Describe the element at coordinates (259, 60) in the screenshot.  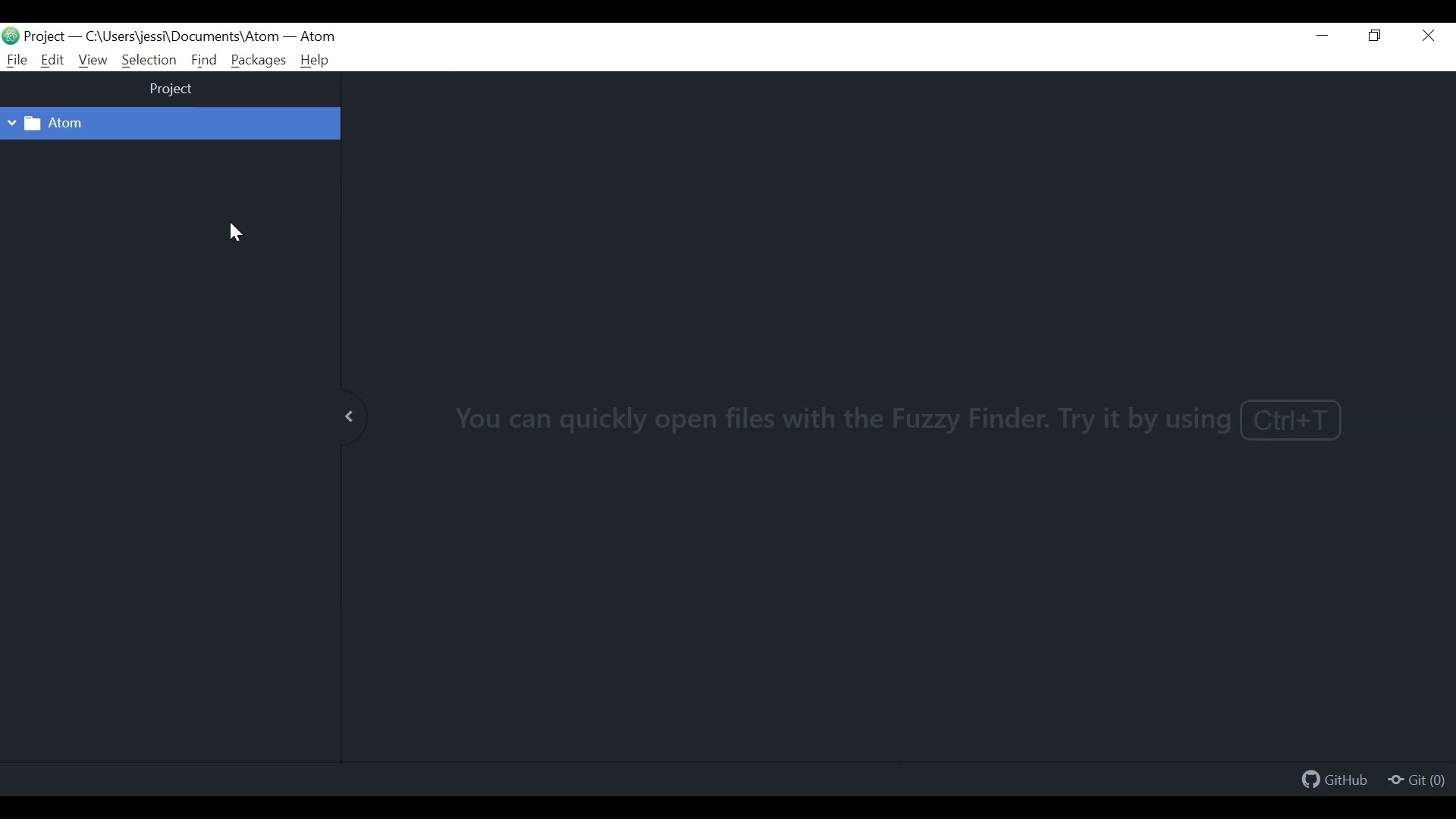
I see `Packages` at that location.